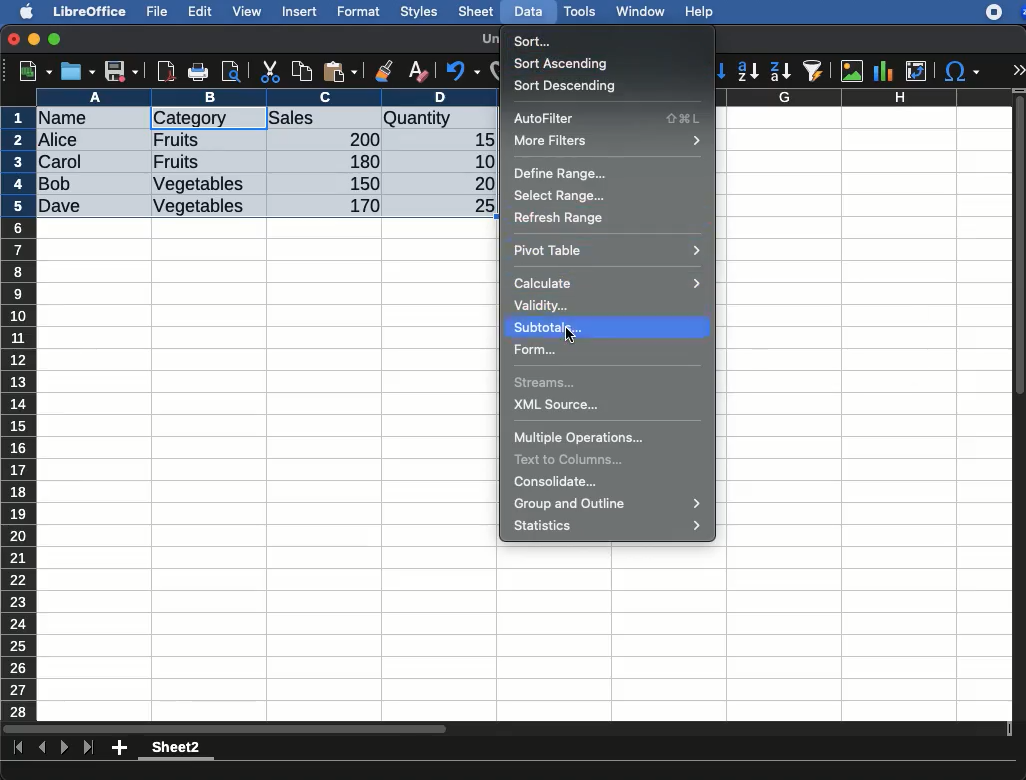  I want to click on 150, so click(361, 183).